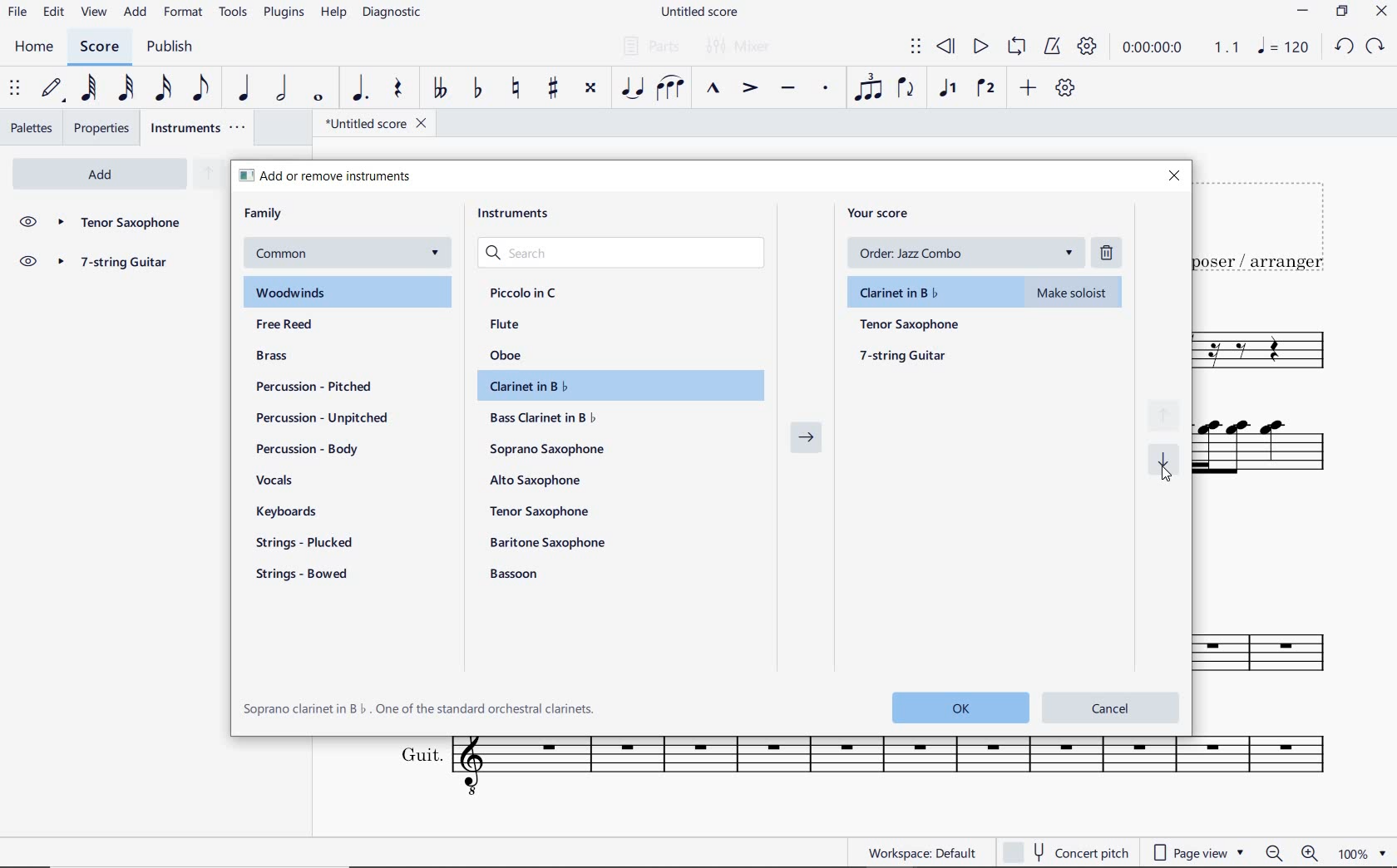 Image resolution: width=1397 pixels, height=868 pixels. Describe the element at coordinates (988, 89) in the screenshot. I see `VOICE 2` at that location.